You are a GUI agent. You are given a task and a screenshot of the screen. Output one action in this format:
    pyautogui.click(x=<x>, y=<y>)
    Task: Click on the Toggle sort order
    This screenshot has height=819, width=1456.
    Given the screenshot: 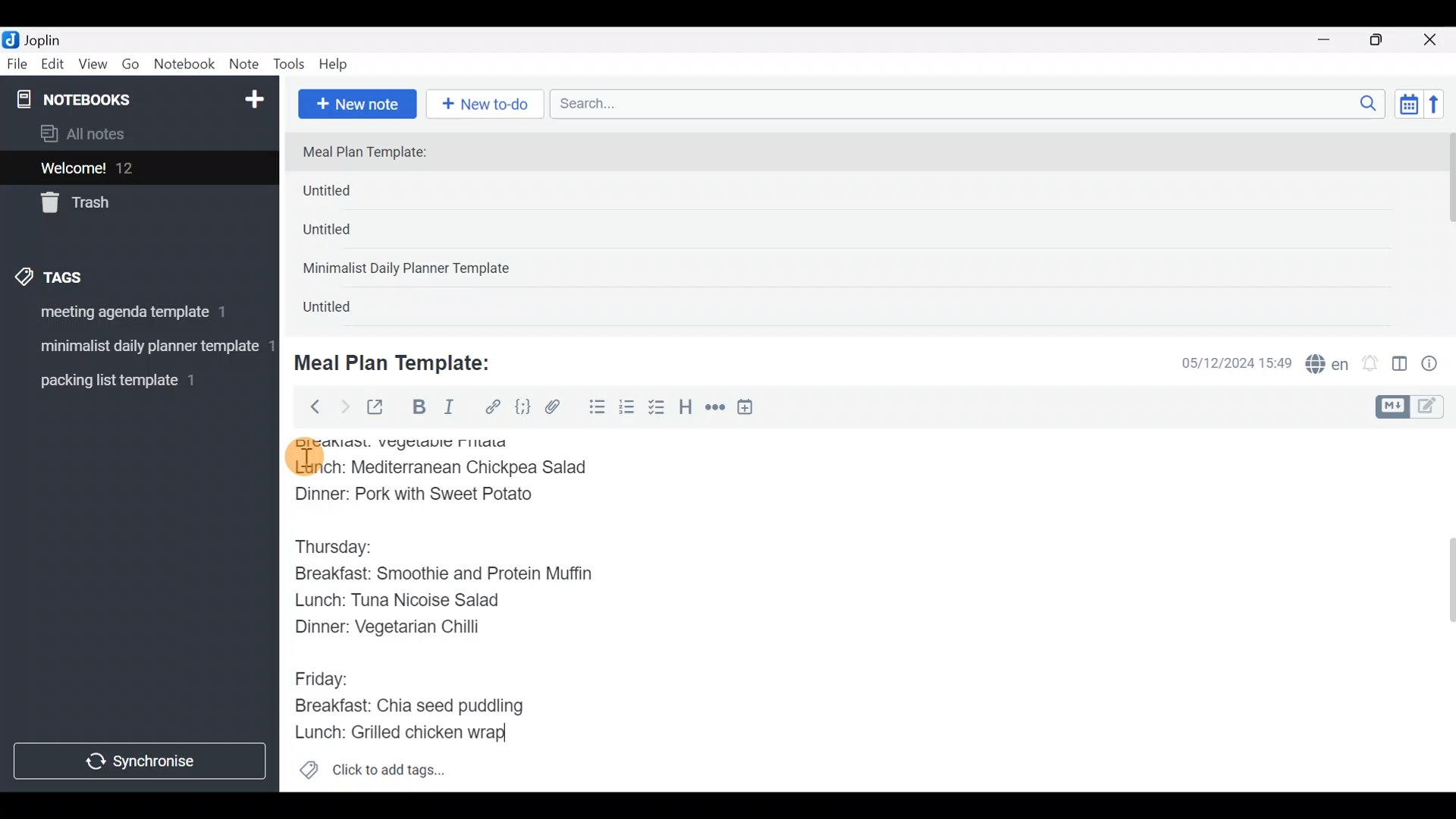 What is the action you would take?
    pyautogui.click(x=1408, y=105)
    